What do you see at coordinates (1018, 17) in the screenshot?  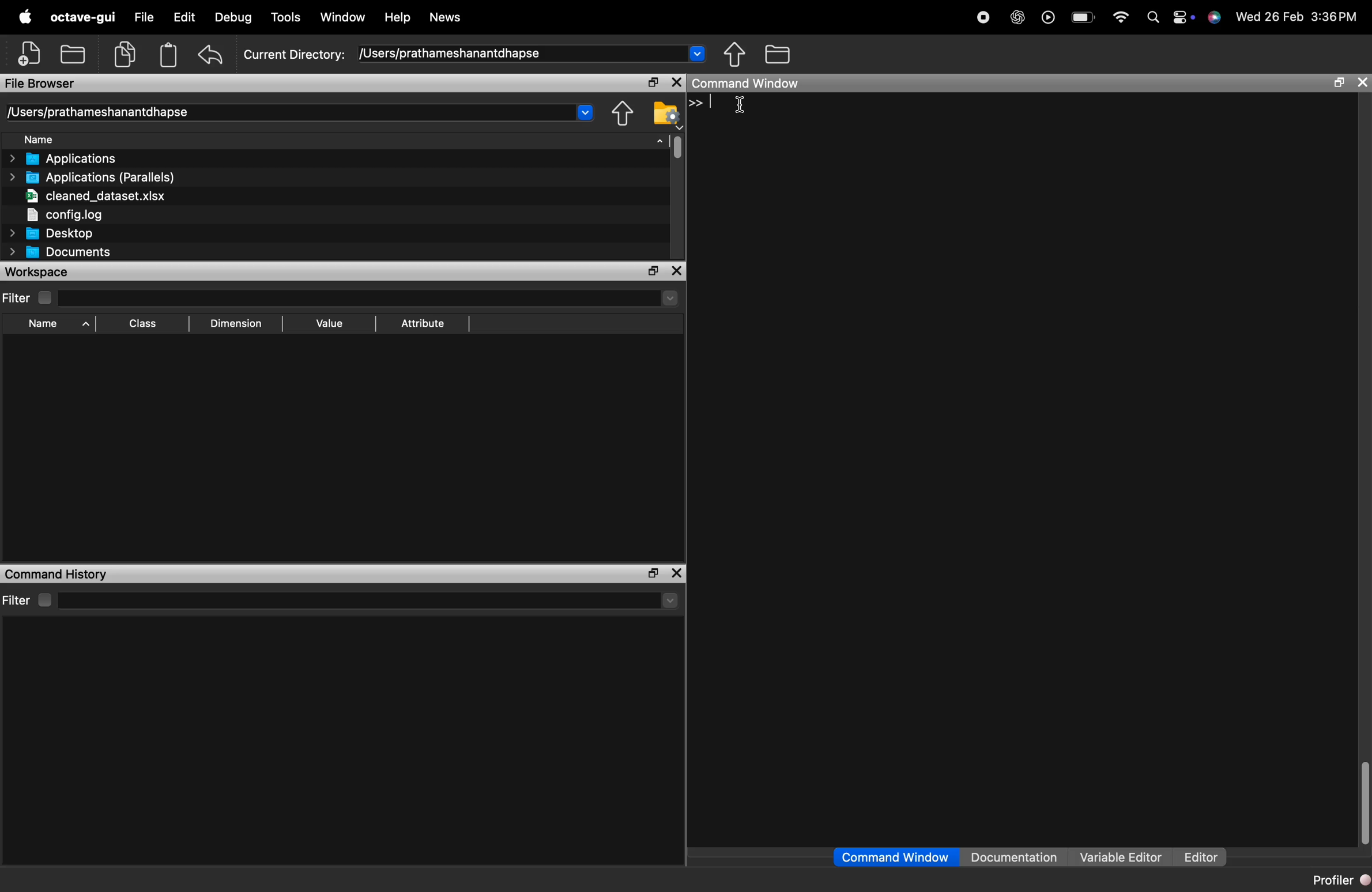 I see `chat gpt` at bounding box center [1018, 17].